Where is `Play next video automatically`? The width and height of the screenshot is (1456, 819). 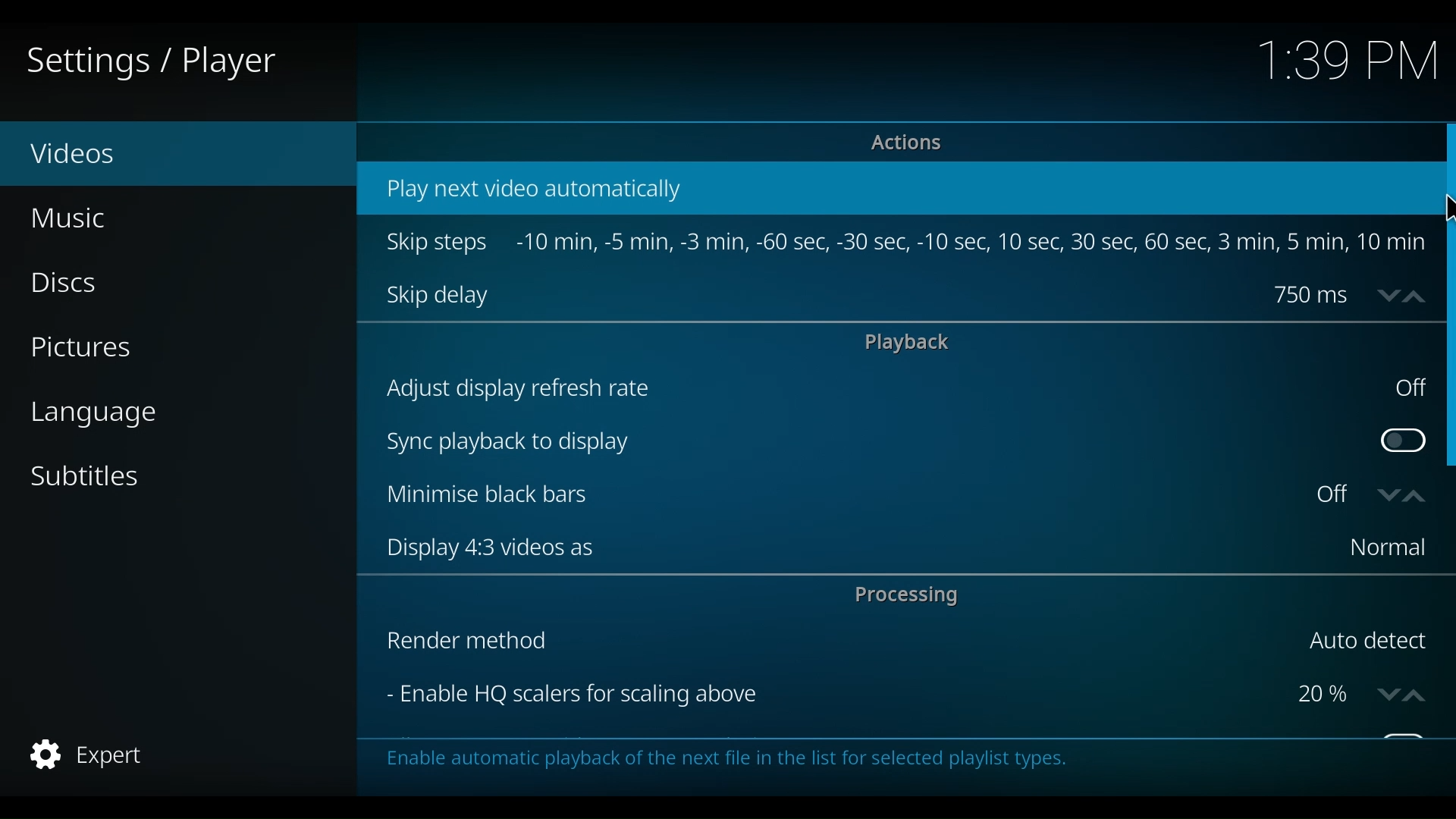 Play next video automatically is located at coordinates (544, 190).